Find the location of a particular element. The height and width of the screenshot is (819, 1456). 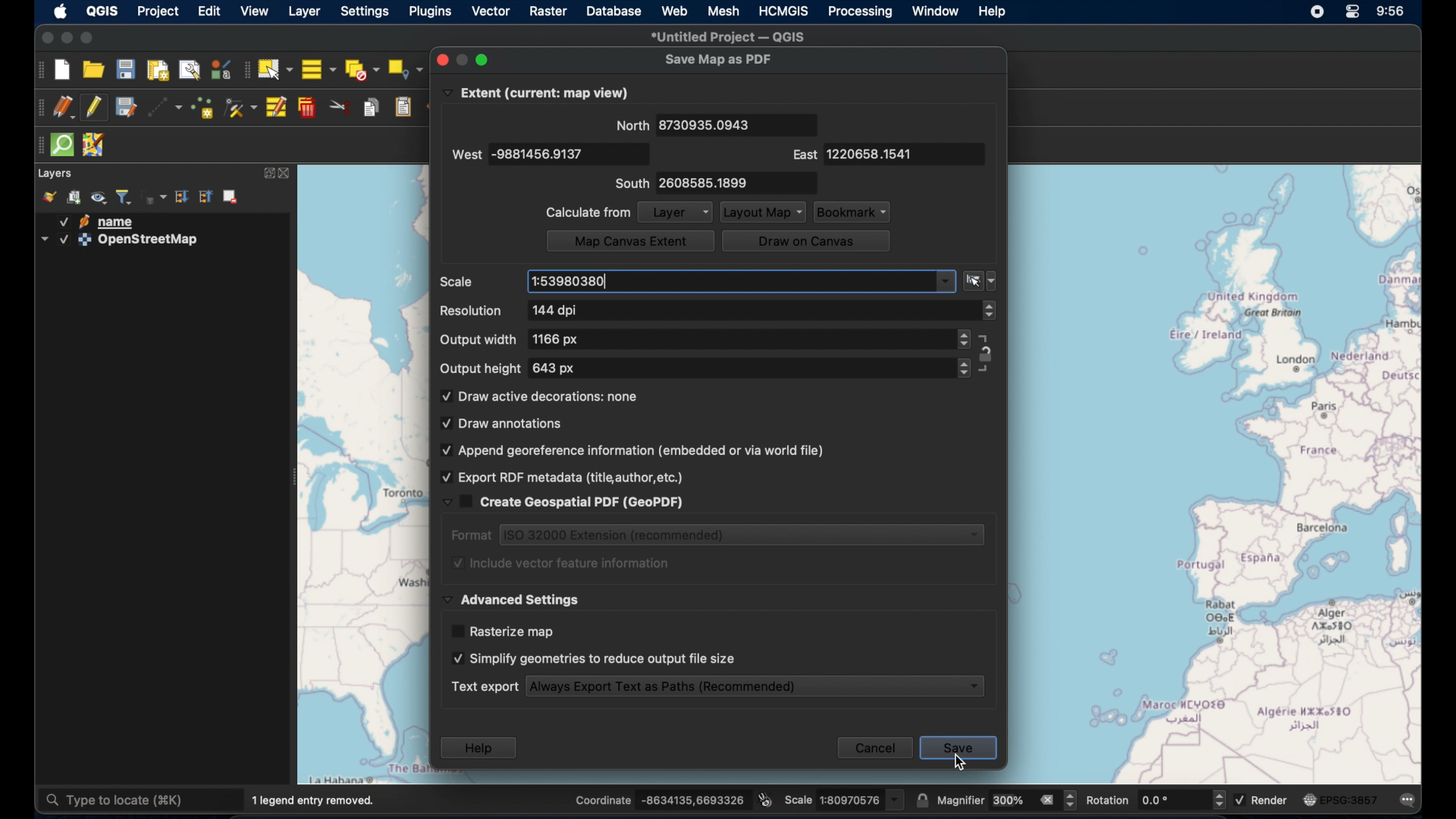

expand is located at coordinates (265, 174).